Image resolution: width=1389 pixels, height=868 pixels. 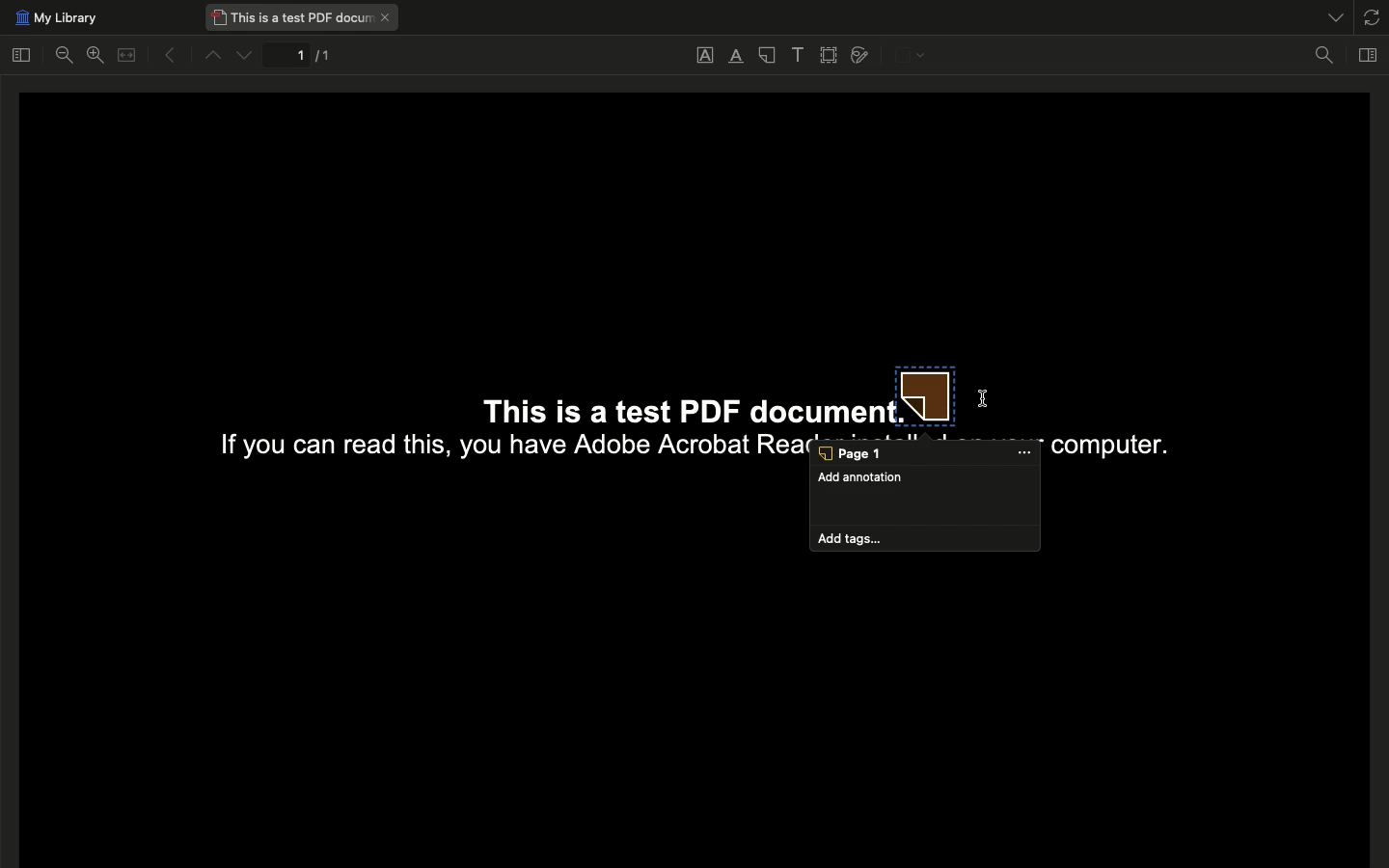 What do you see at coordinates (735, 57) in the screenshot?
I see `Highlight text` at bounding box center [735, 57].